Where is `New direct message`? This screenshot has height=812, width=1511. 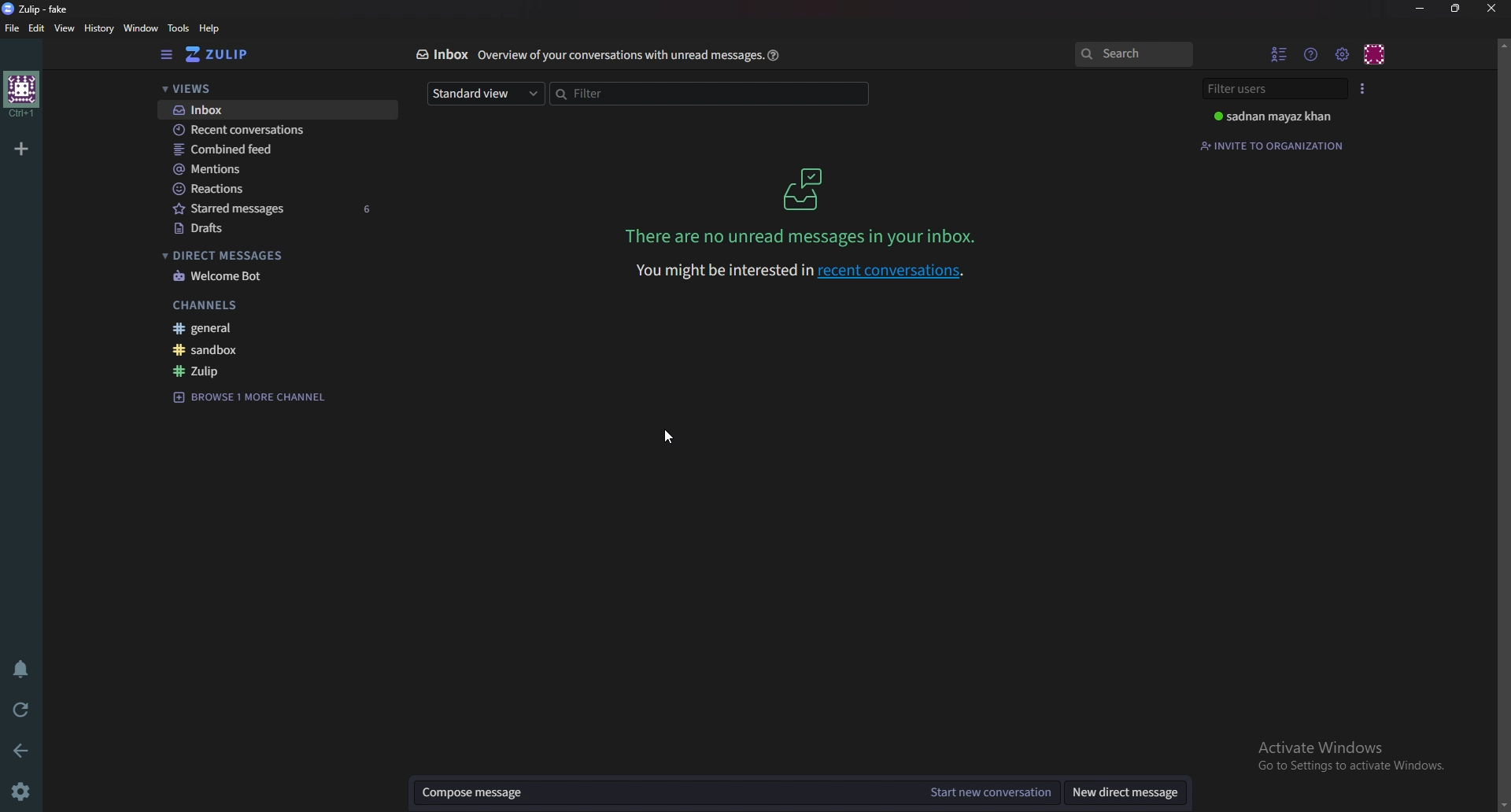
New direct message is located at coordinates (1125, 789).